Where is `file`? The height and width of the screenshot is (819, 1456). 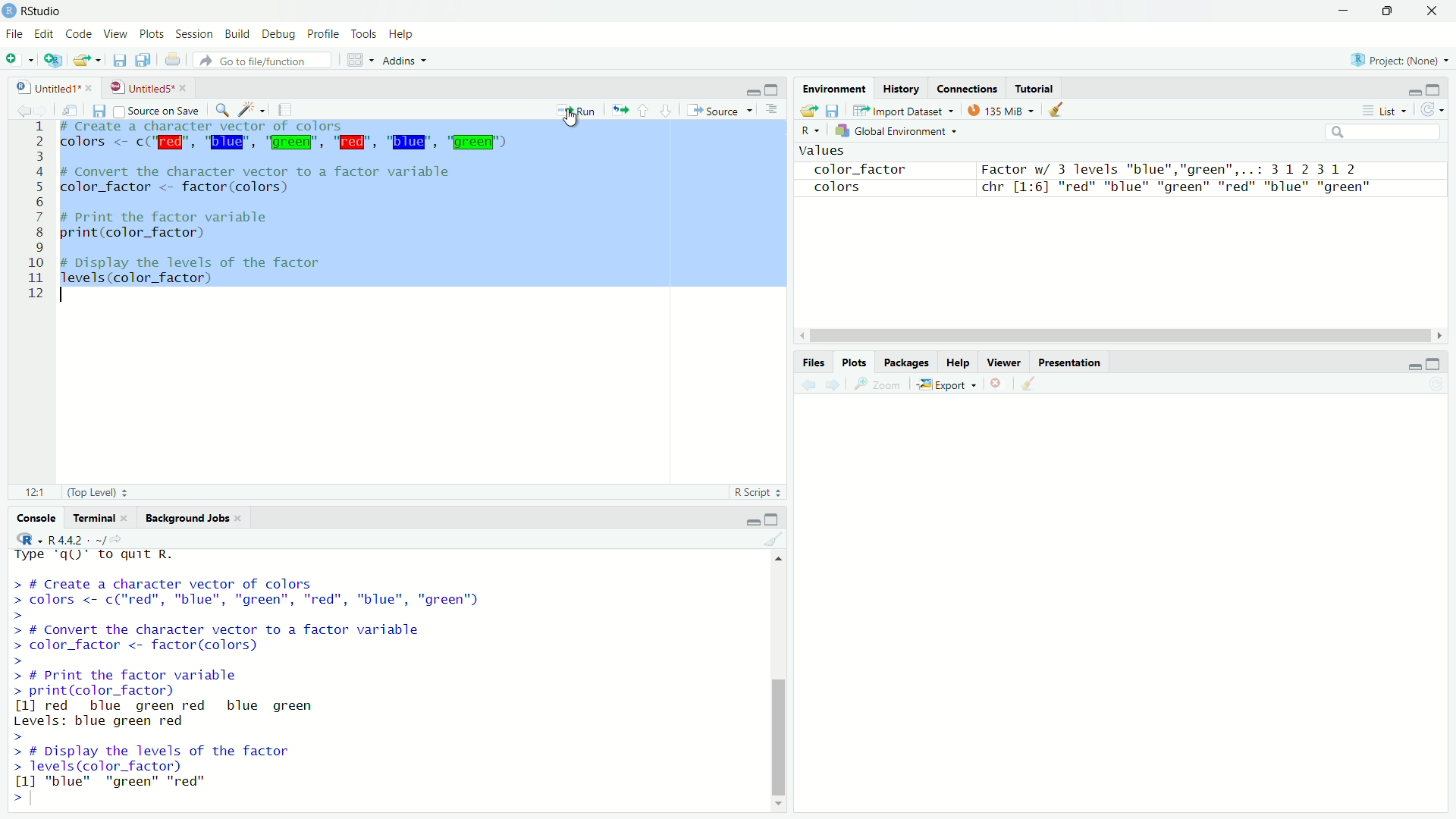 file is located at coordinates (14, 35).